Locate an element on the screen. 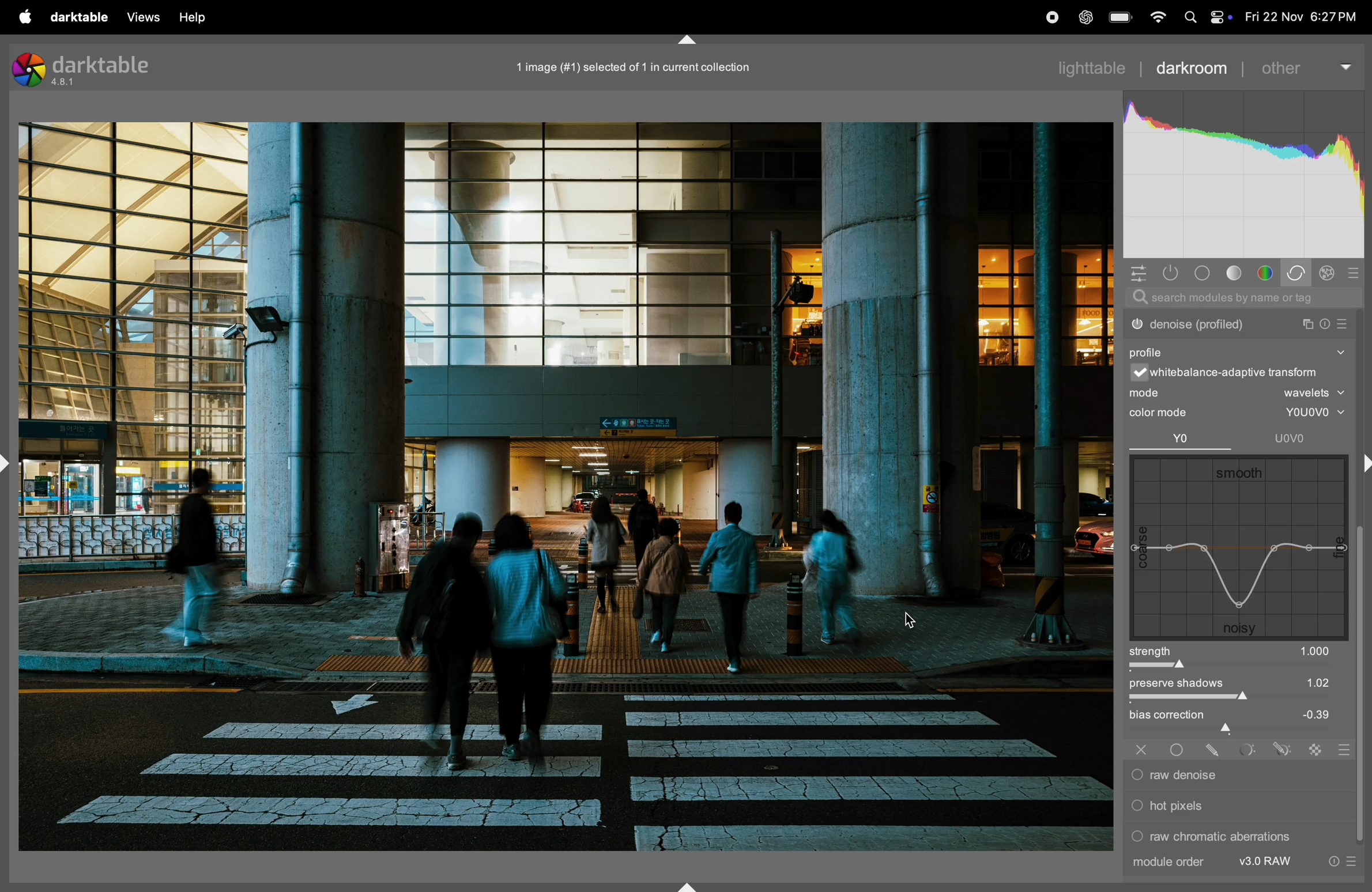 The image size is (1372, 892). uovo is located at coordinates (1282, 440).